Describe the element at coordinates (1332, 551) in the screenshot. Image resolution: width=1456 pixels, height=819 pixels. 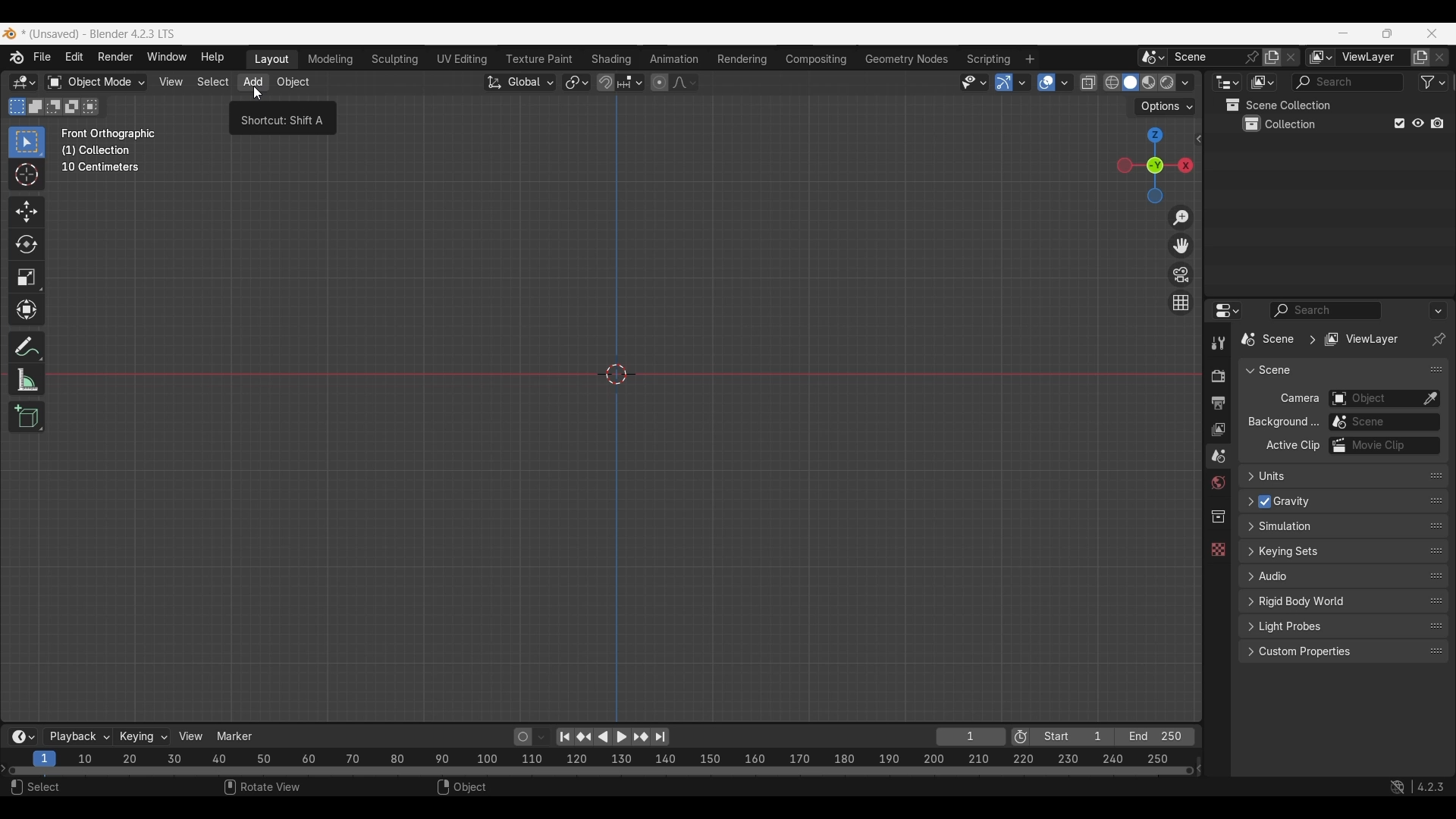
I see `Click to expand Keying sets` at that location.